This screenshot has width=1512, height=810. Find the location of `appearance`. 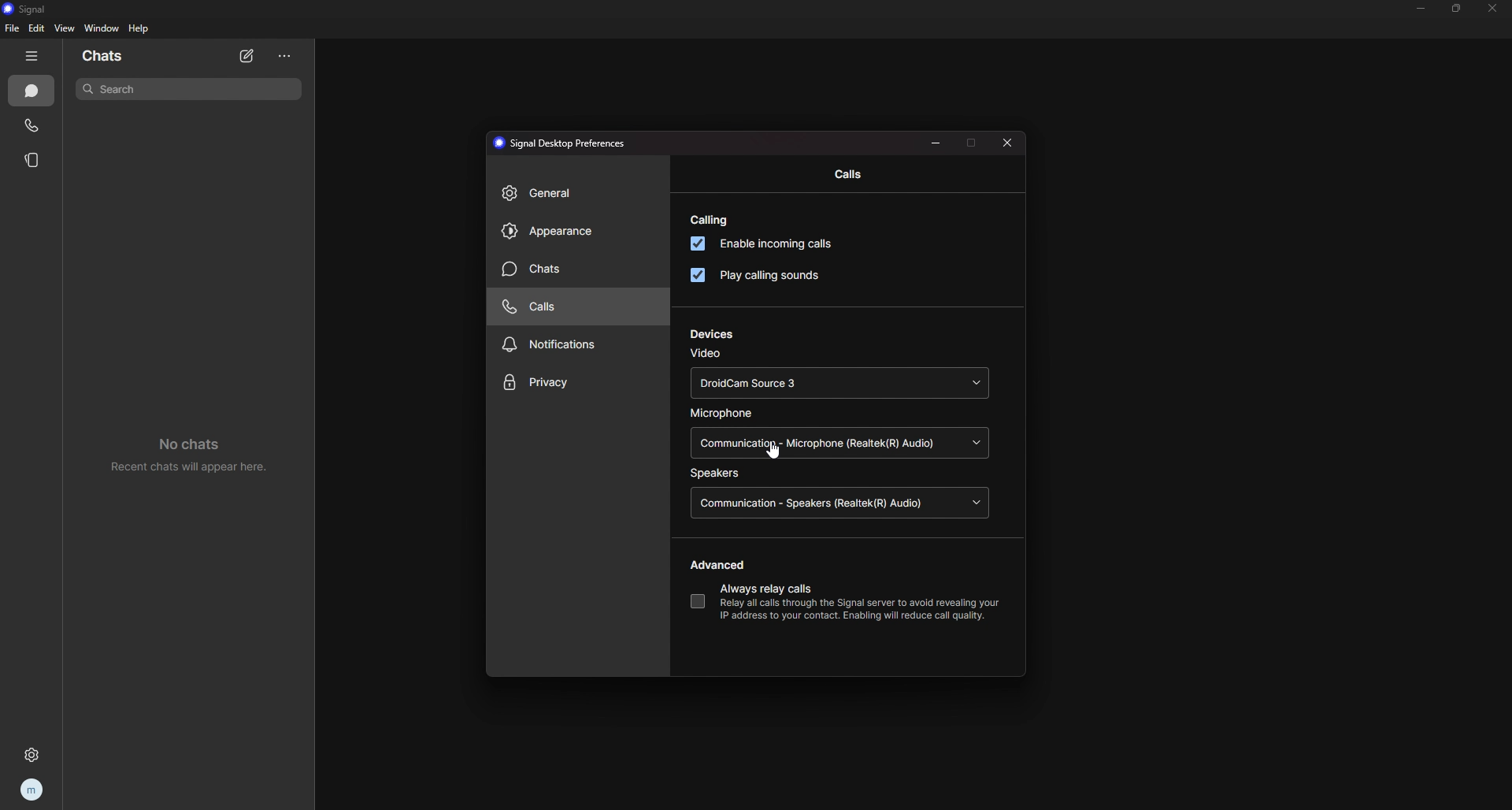

appearance is located at coordinates (575, 232).